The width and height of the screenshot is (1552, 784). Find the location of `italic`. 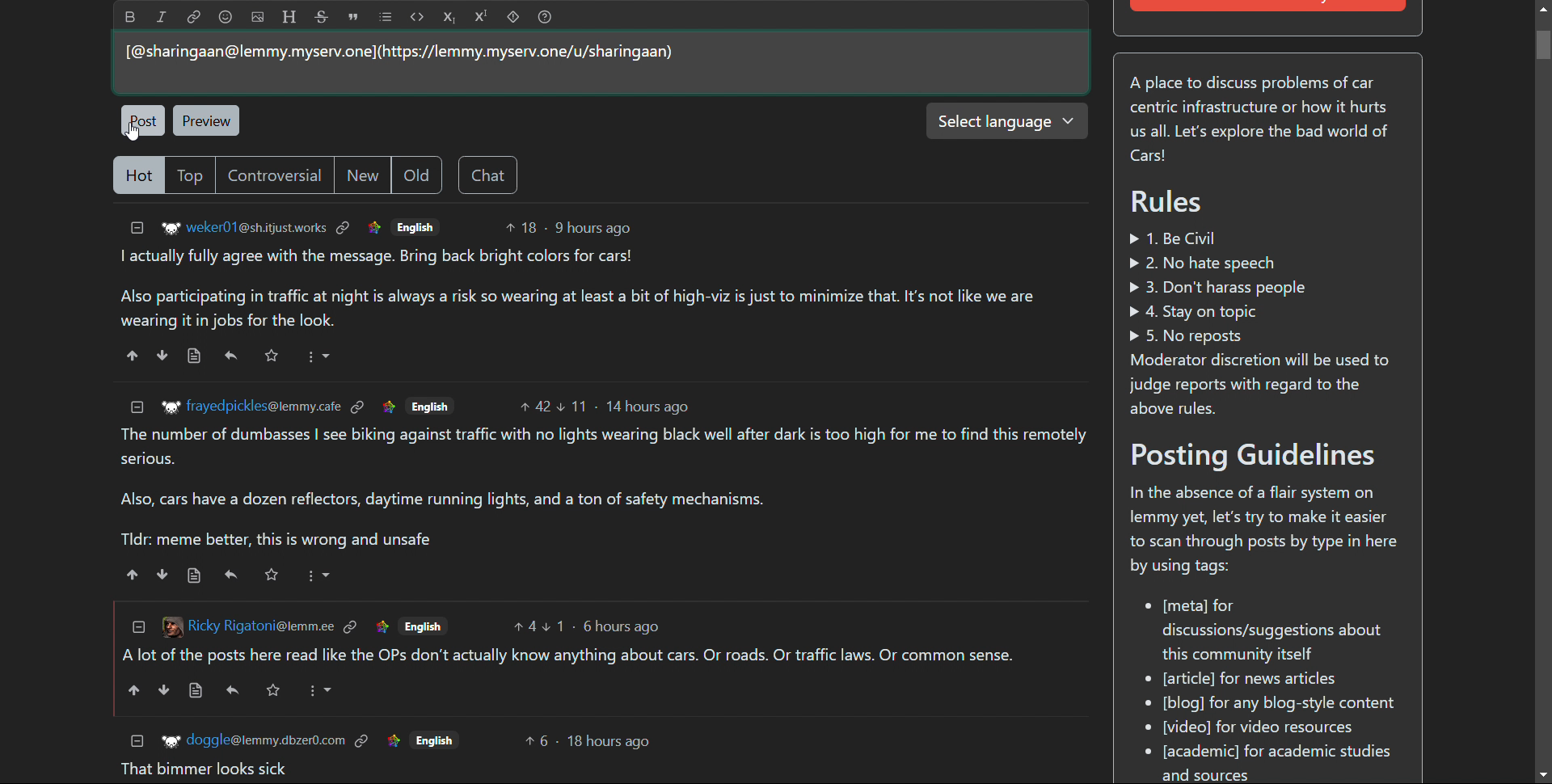

italic is located at coordinates (162, 18).